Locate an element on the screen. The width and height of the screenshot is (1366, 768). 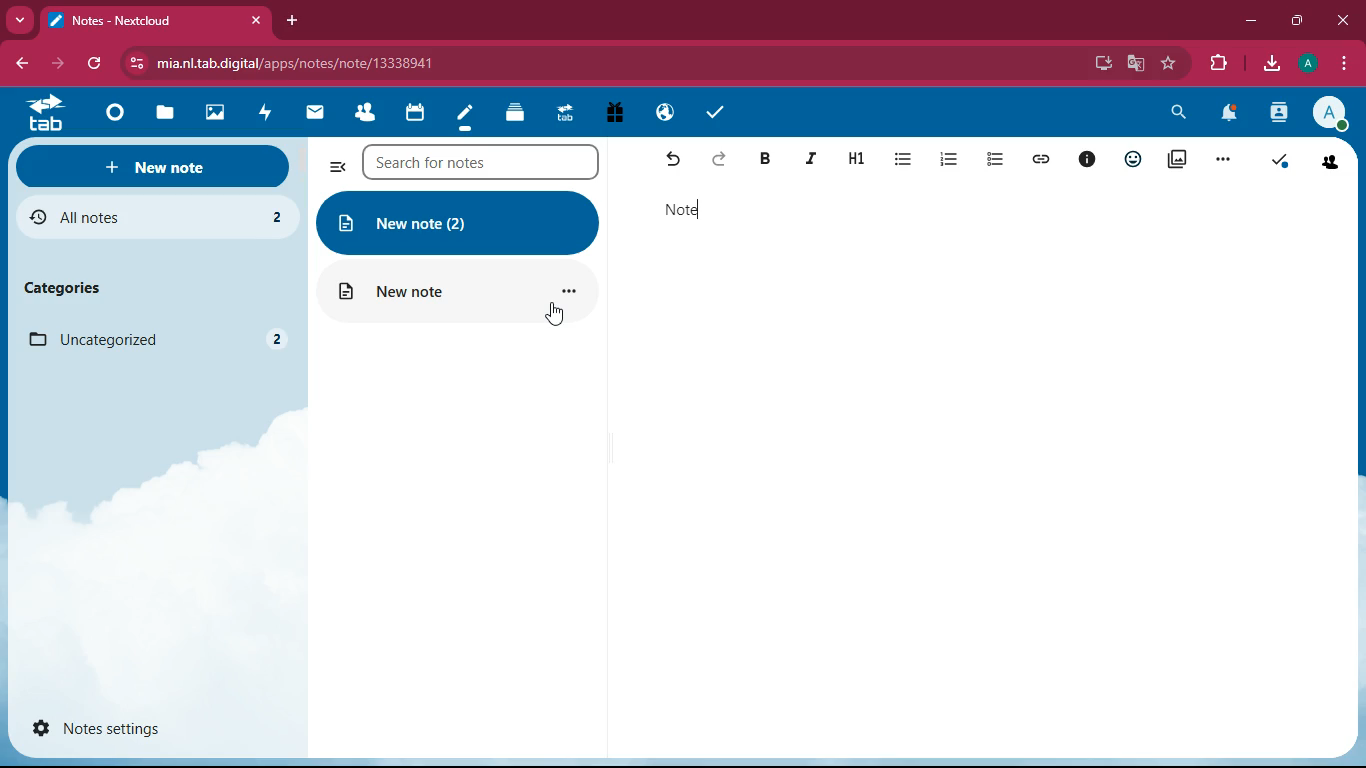
fast is located at coordinates (264, 112).